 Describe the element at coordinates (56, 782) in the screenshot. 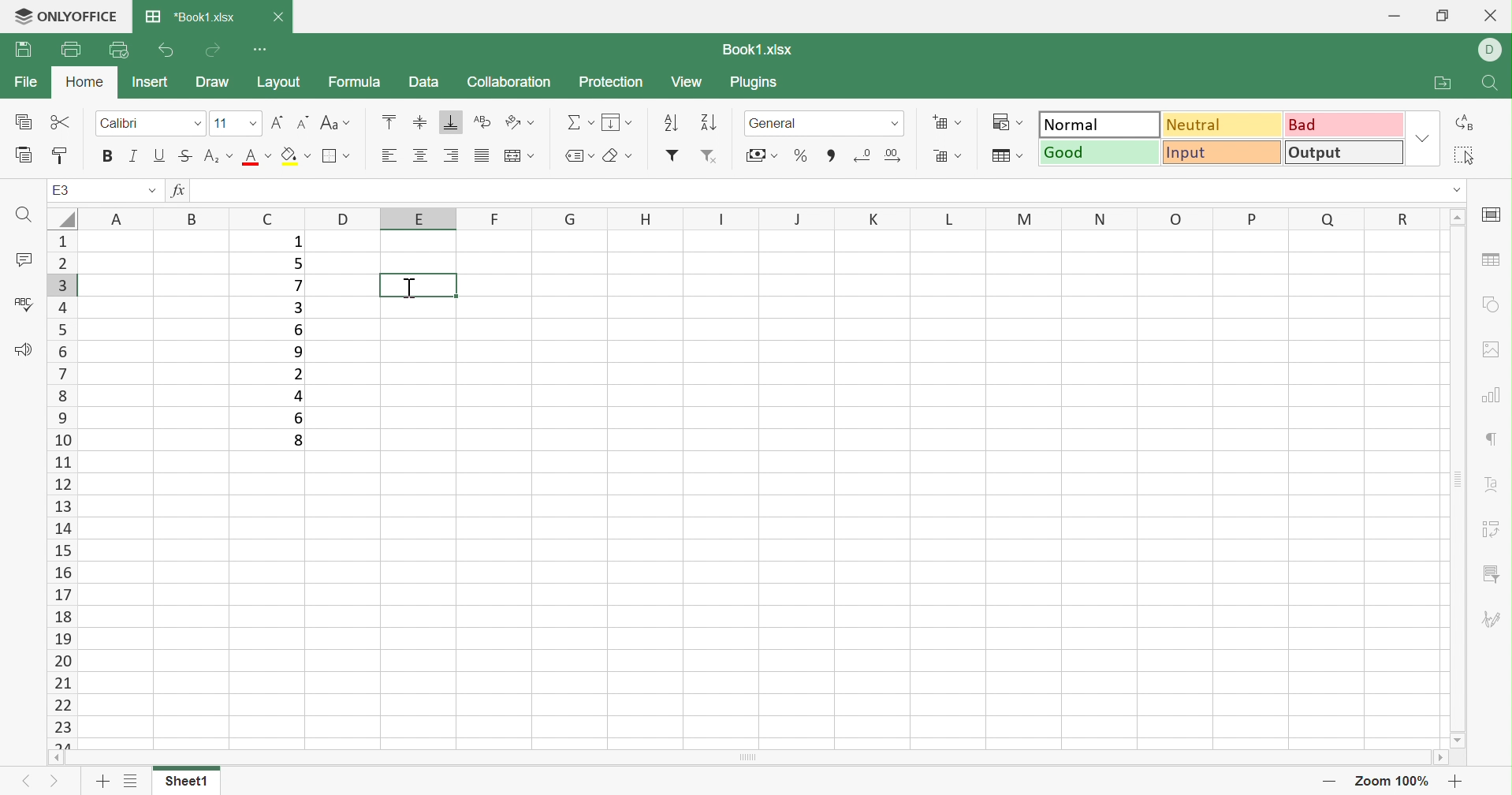

I see `Next` at that location.